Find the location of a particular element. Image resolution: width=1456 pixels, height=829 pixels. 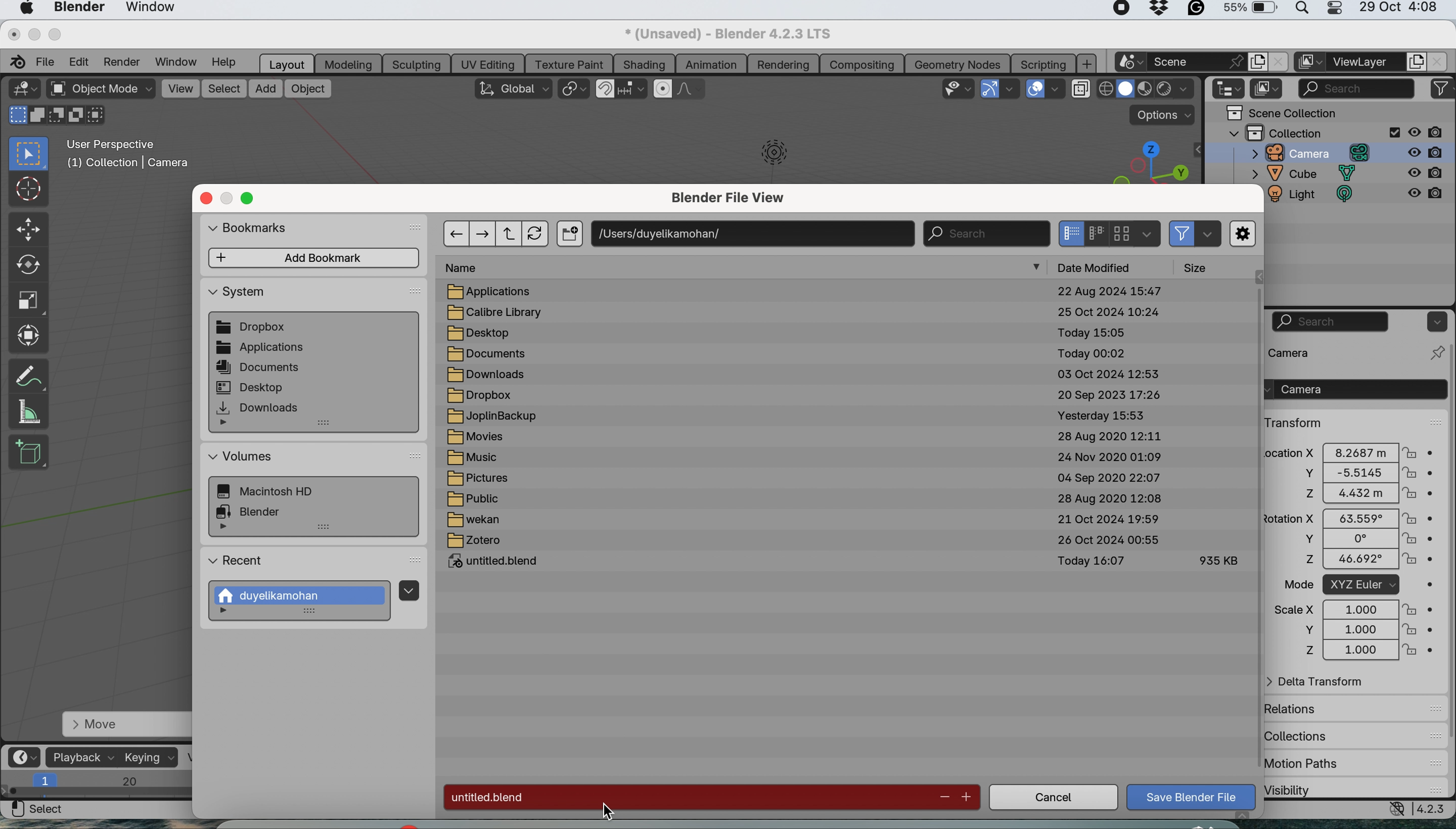

more is located at coordinates (228, 613).